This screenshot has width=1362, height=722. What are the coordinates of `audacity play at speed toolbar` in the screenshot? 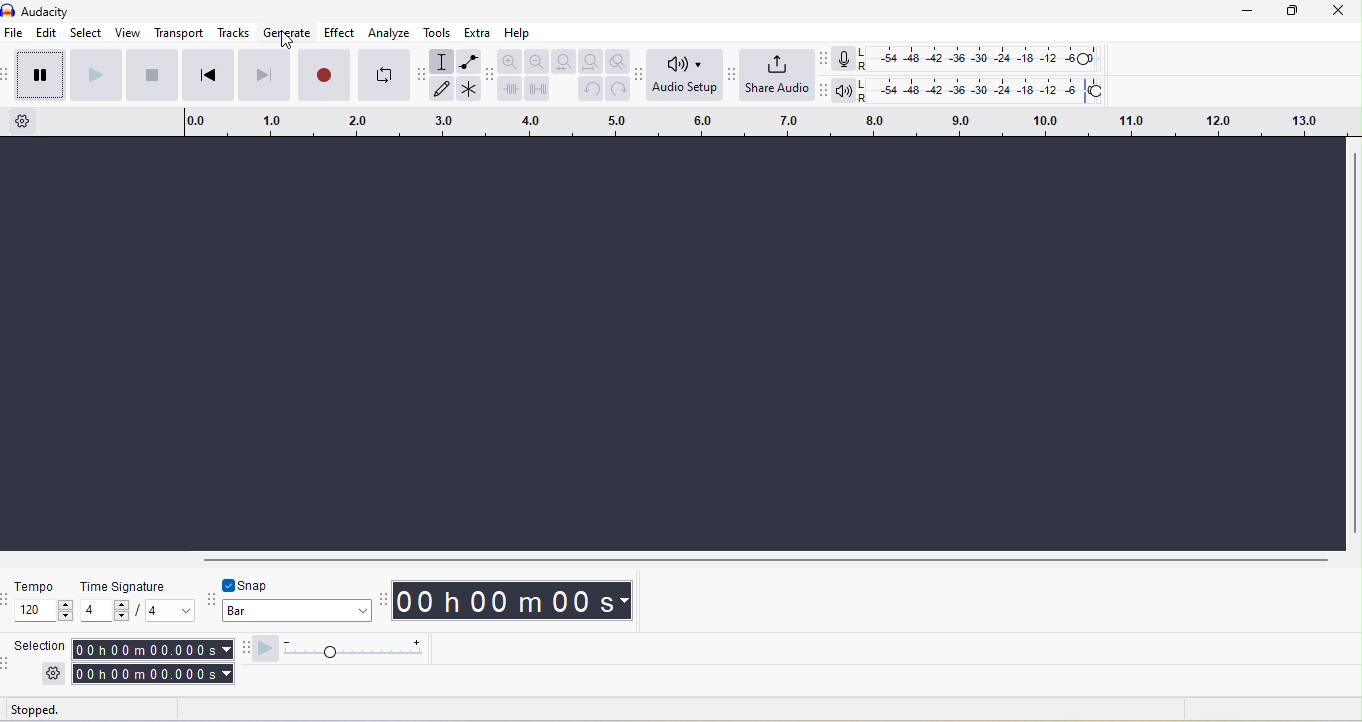 It's located at (243, 649).